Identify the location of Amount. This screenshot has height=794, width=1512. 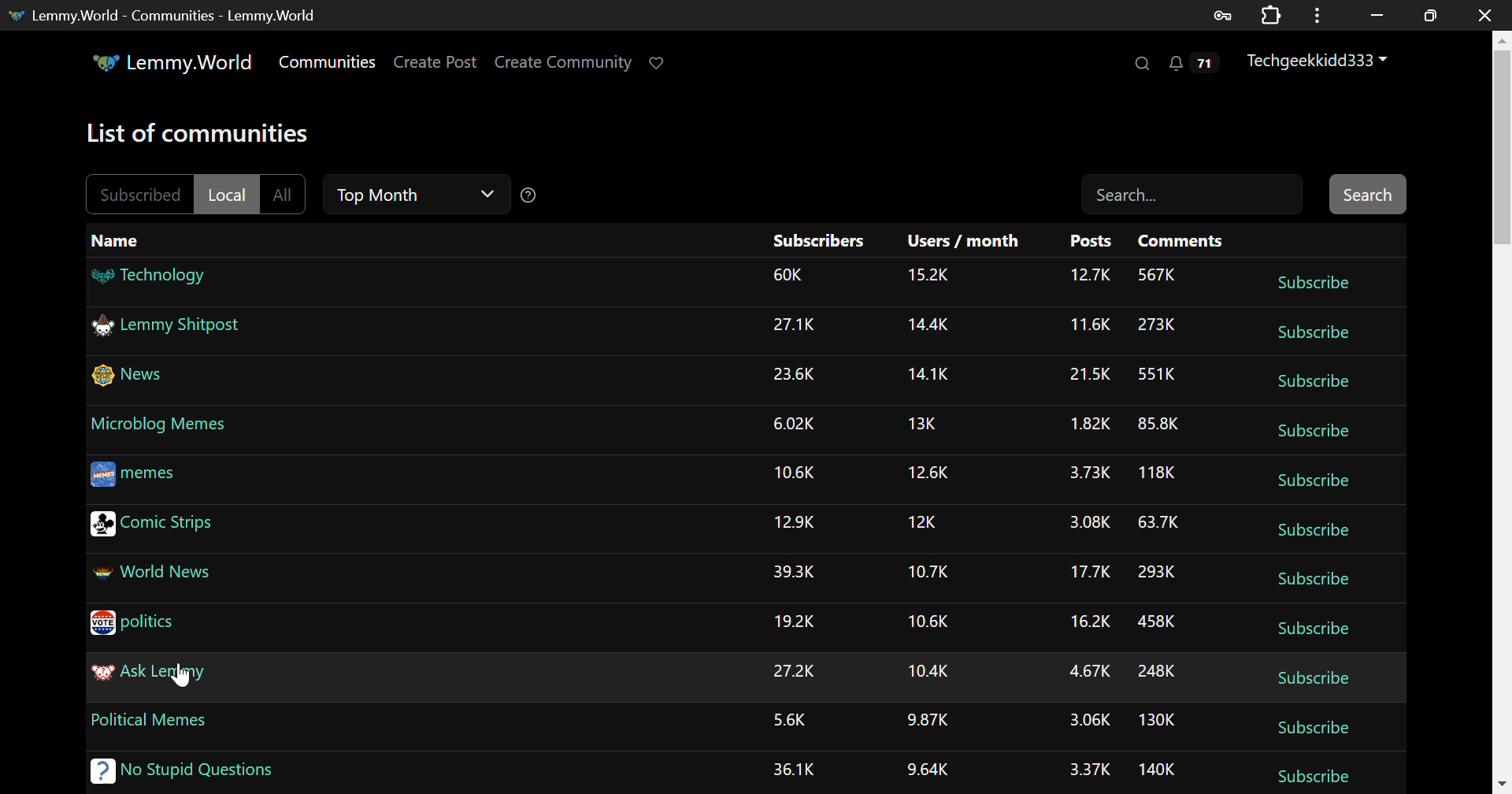
(926, 525).